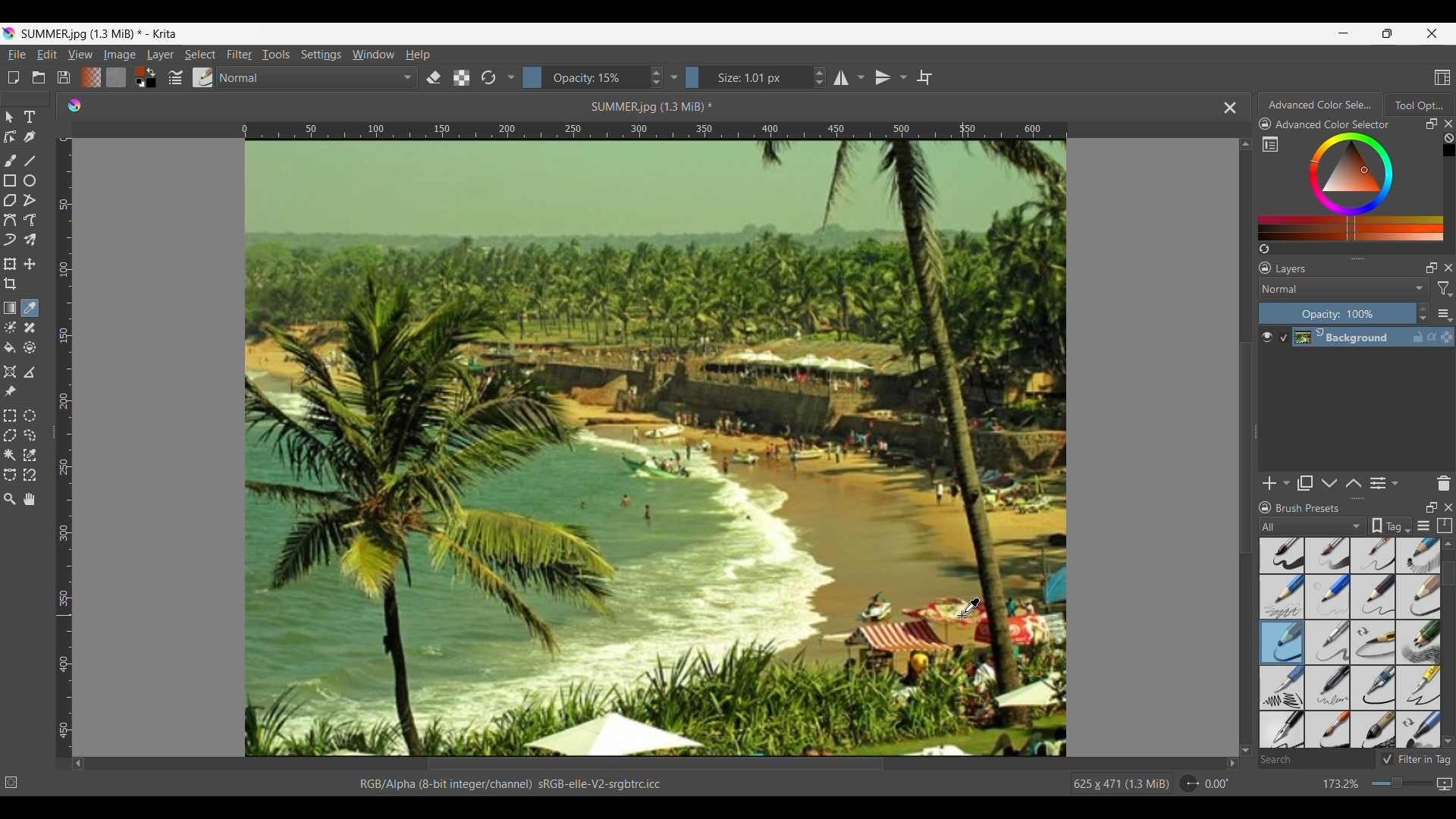  What do you see at coordinates (154, 84) in the screenshot?
I see `Background color` at bounding box center [154, 84].